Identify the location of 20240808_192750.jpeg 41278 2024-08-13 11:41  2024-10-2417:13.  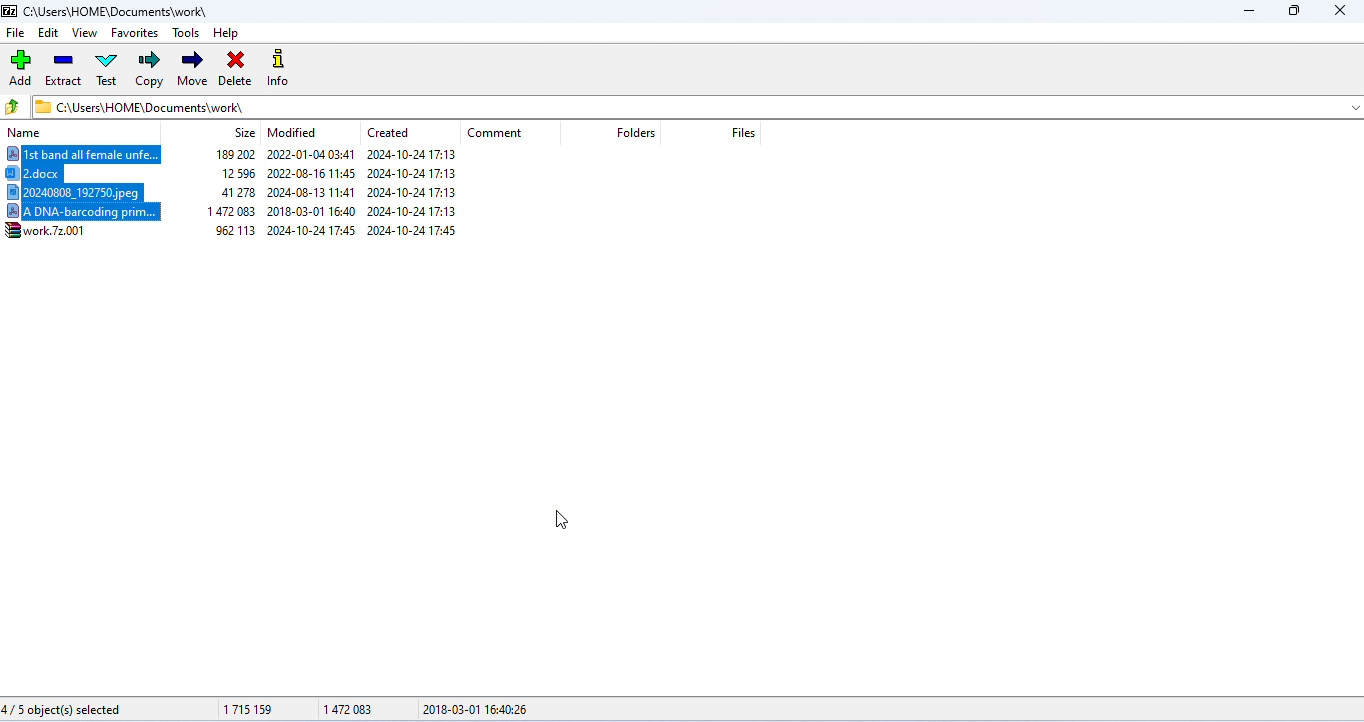
(244, 193).